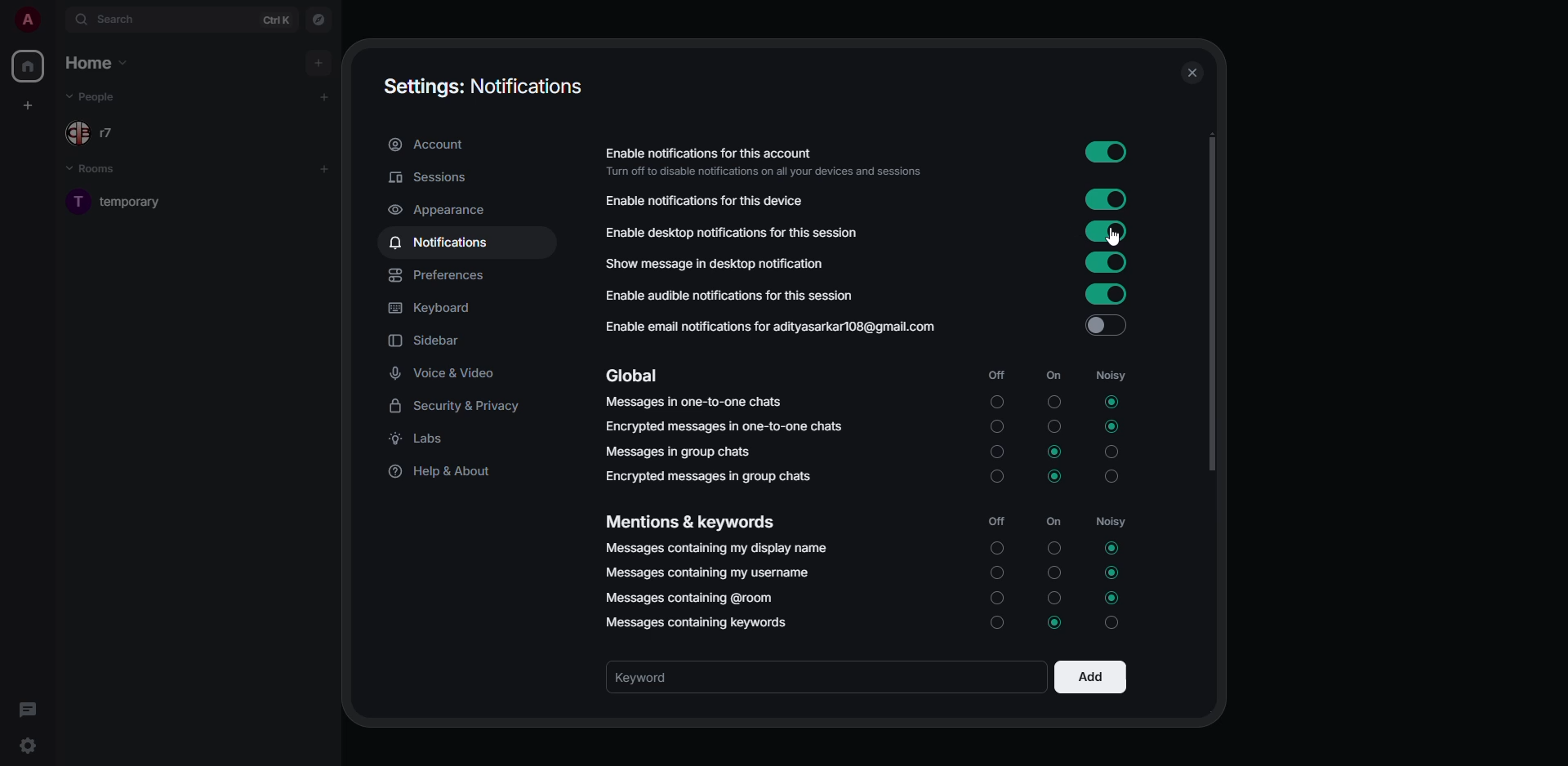  I want to click on voice & video, so click(446, 374).